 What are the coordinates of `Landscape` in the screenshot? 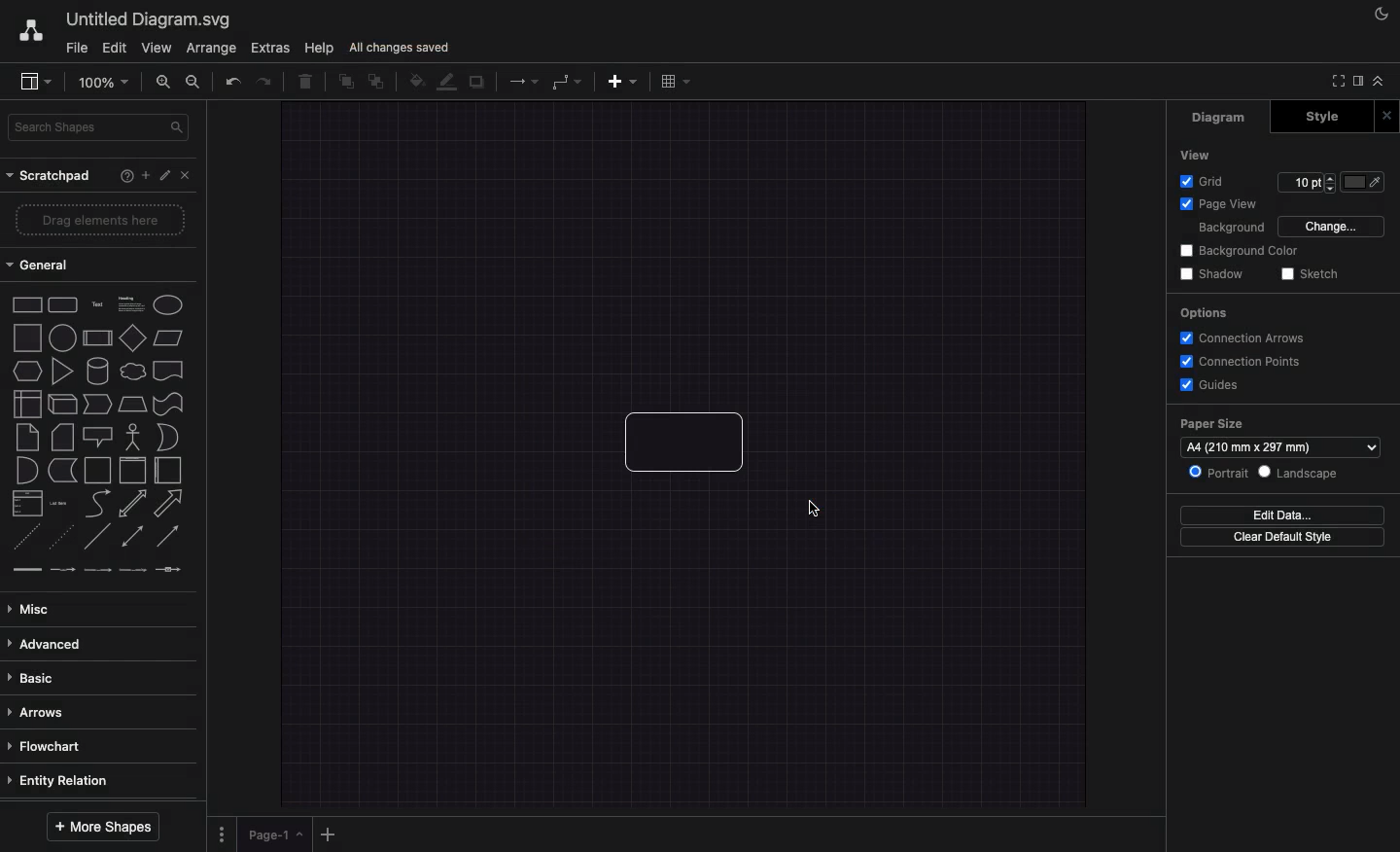 It's located at (1307, 472).